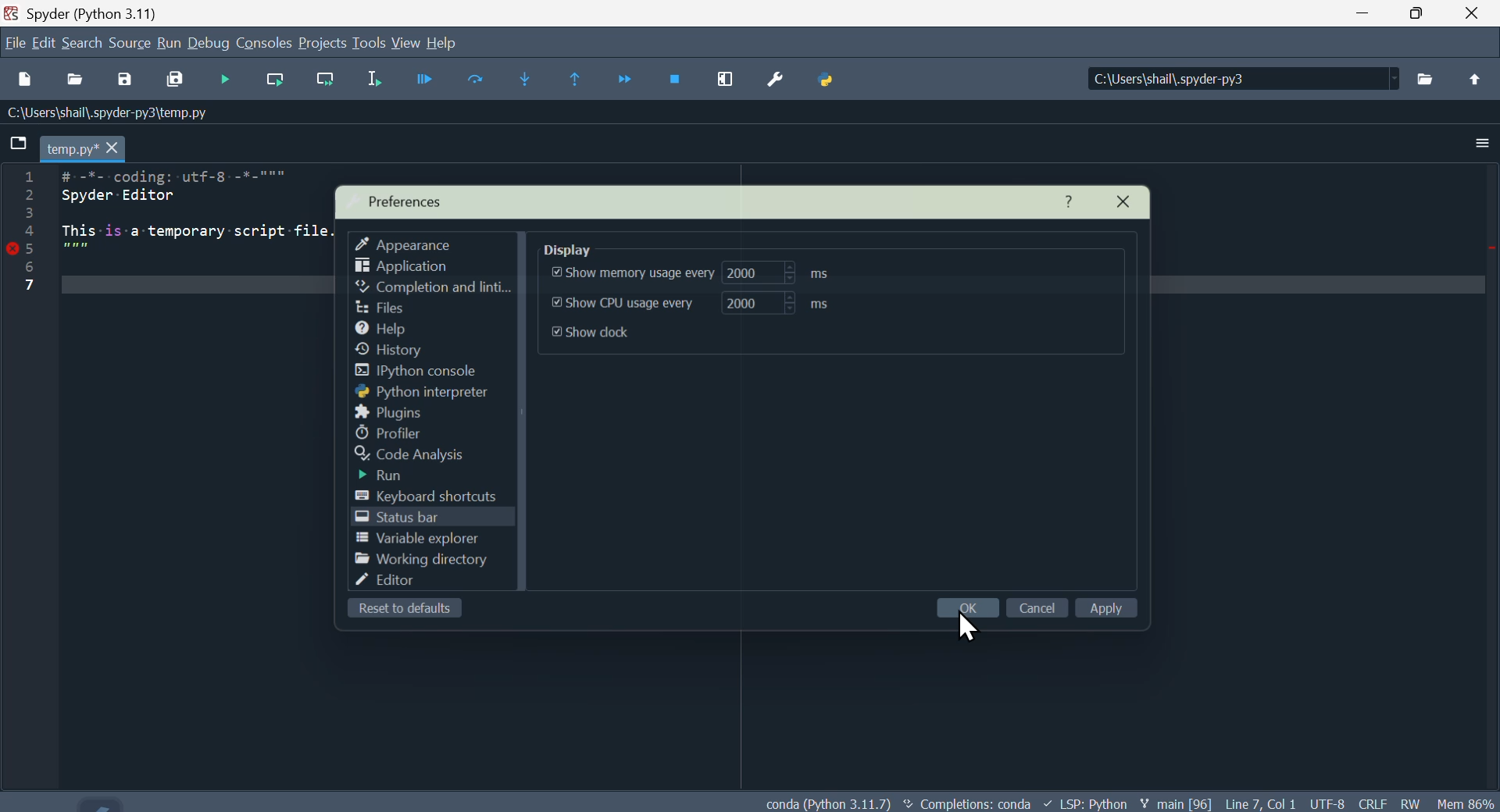  What do you see at coordinates (1472, 77) in the screenshot?
I see `upload` at bounding box center [1472, 77].